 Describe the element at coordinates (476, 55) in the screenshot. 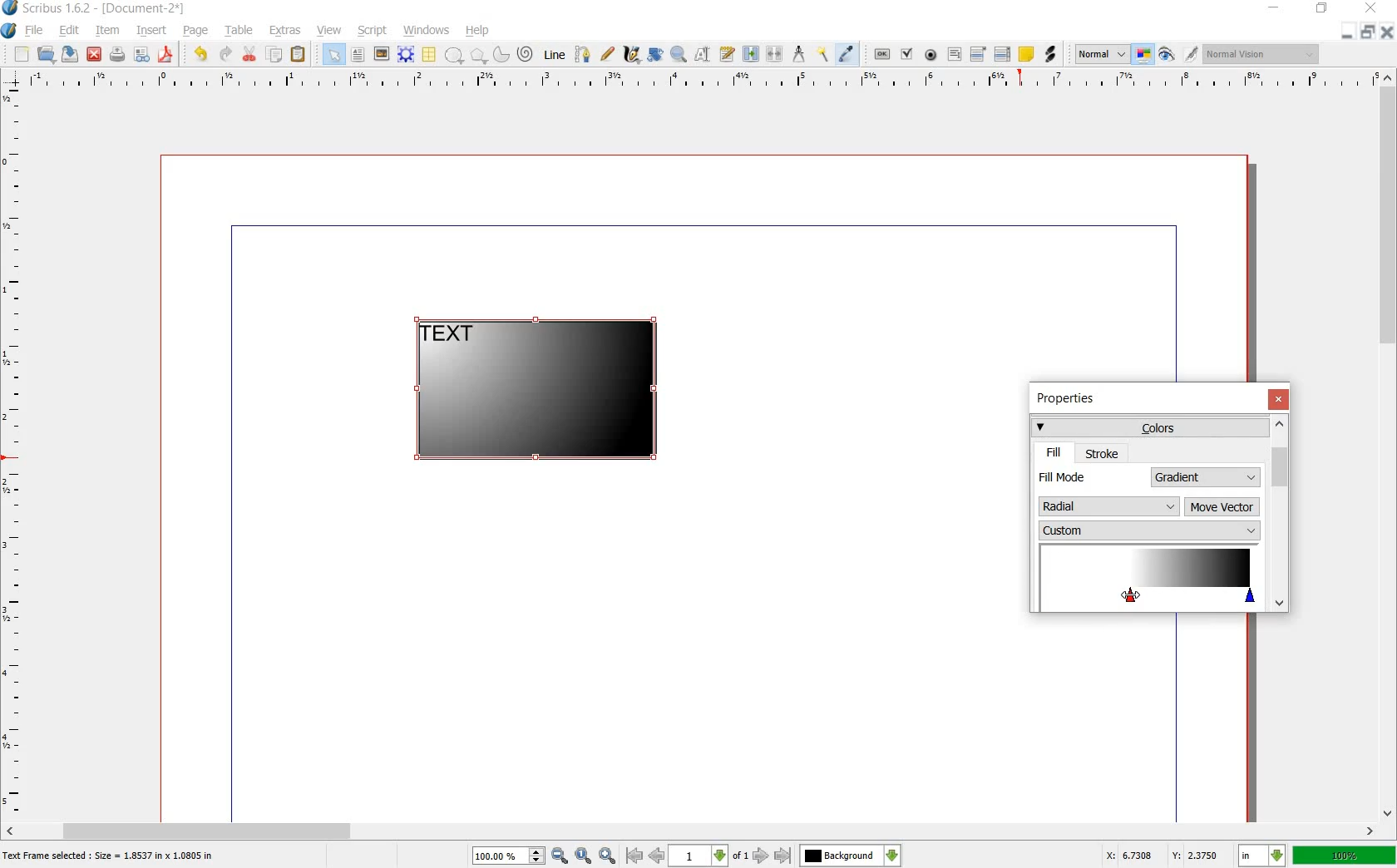

I see `polygon` at that location.